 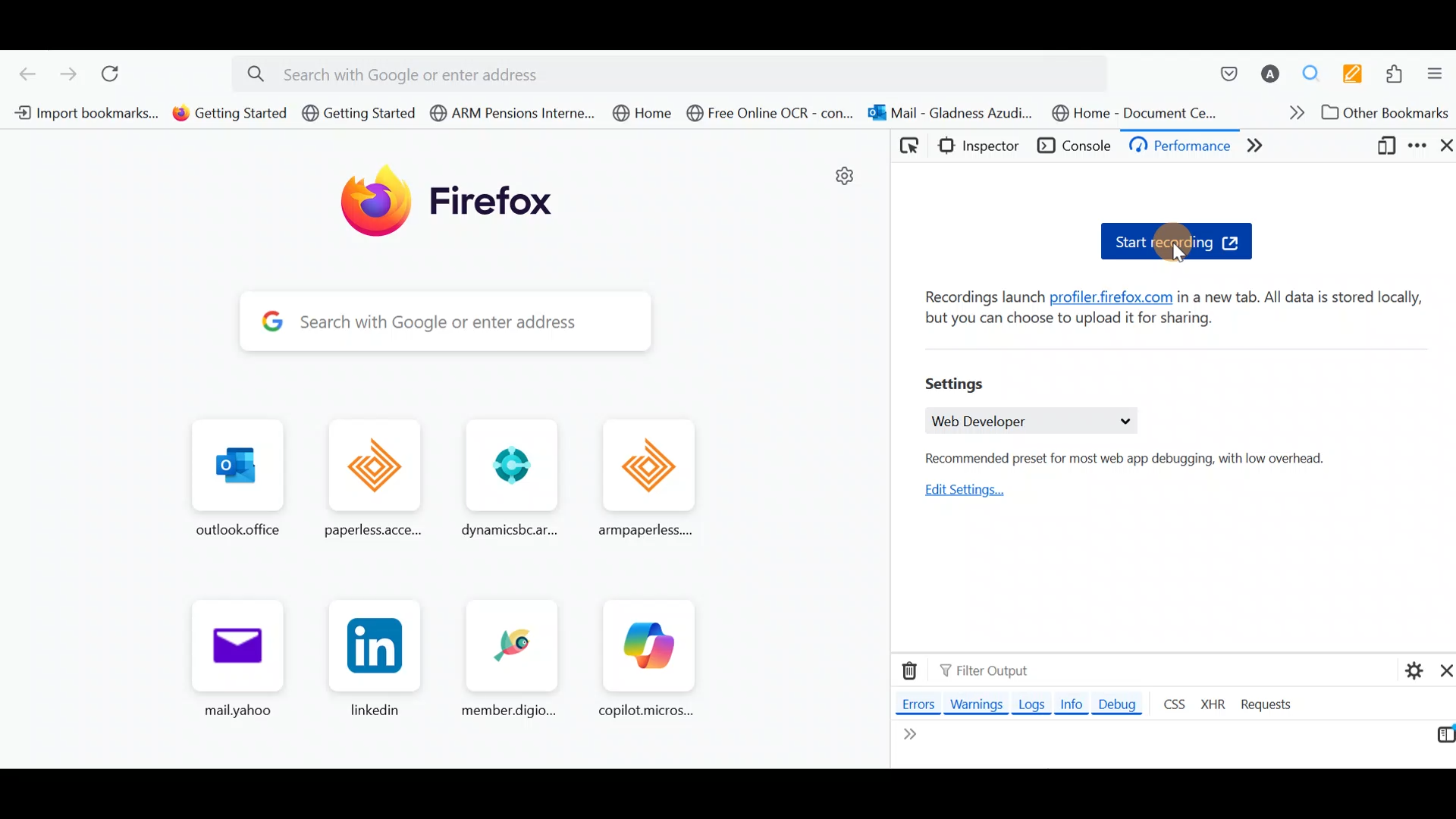 I want to click on Start recording, so click(x=1177, y=274).